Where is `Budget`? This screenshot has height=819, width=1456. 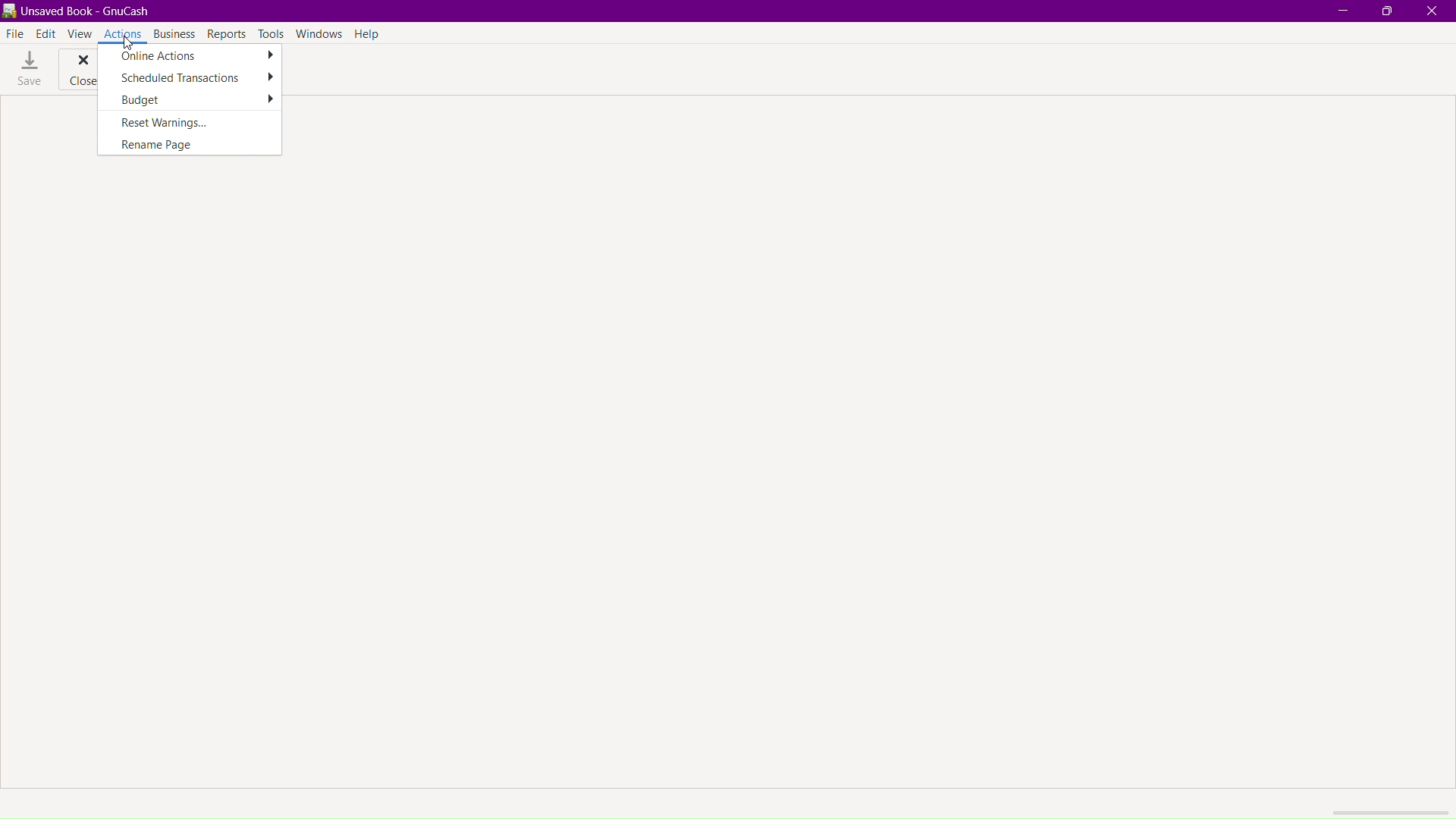 Budget is located at coordinates (198, 101).